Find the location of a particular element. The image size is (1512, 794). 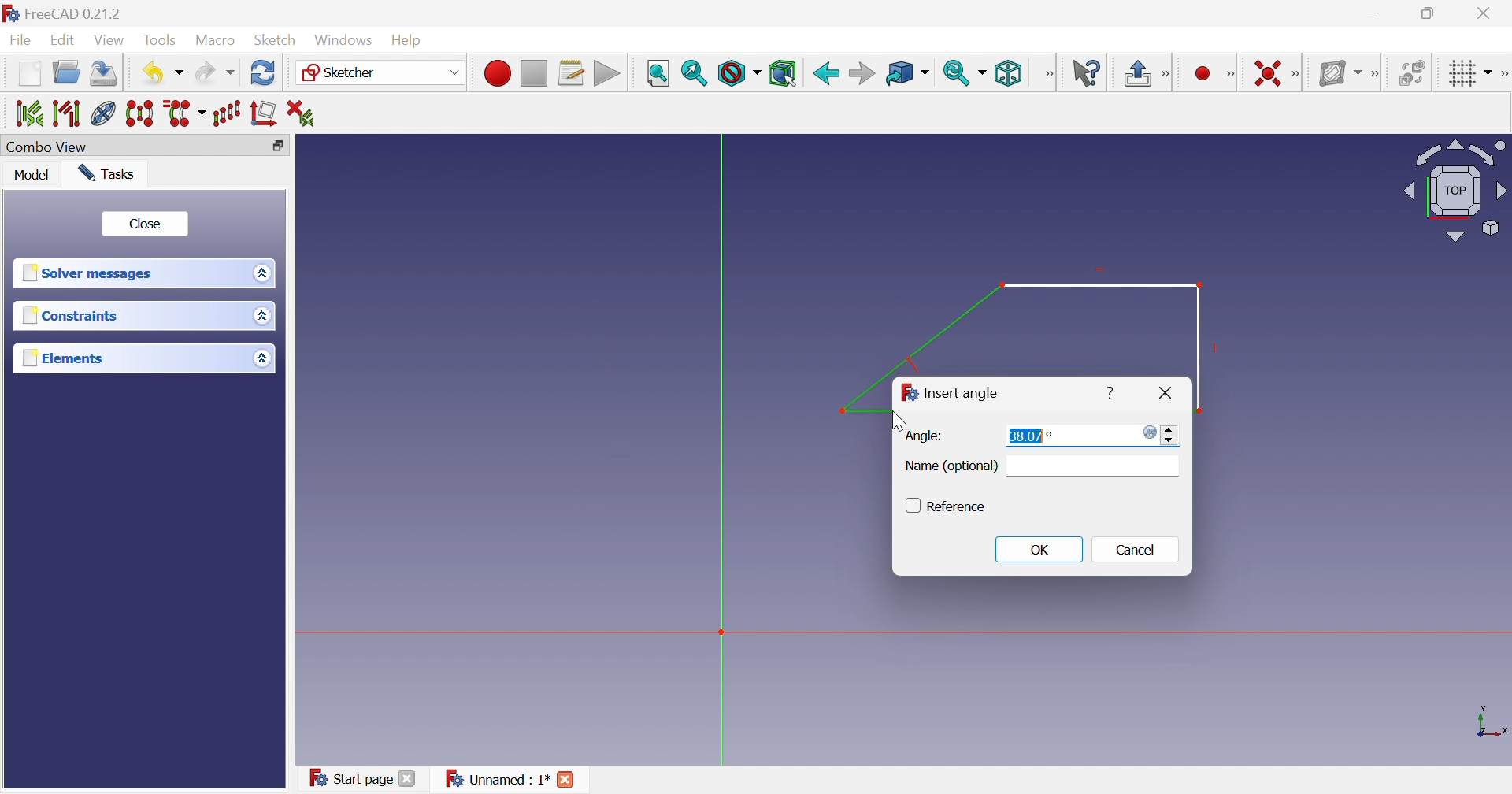

Decrease is located at coordinates (1173, 443).